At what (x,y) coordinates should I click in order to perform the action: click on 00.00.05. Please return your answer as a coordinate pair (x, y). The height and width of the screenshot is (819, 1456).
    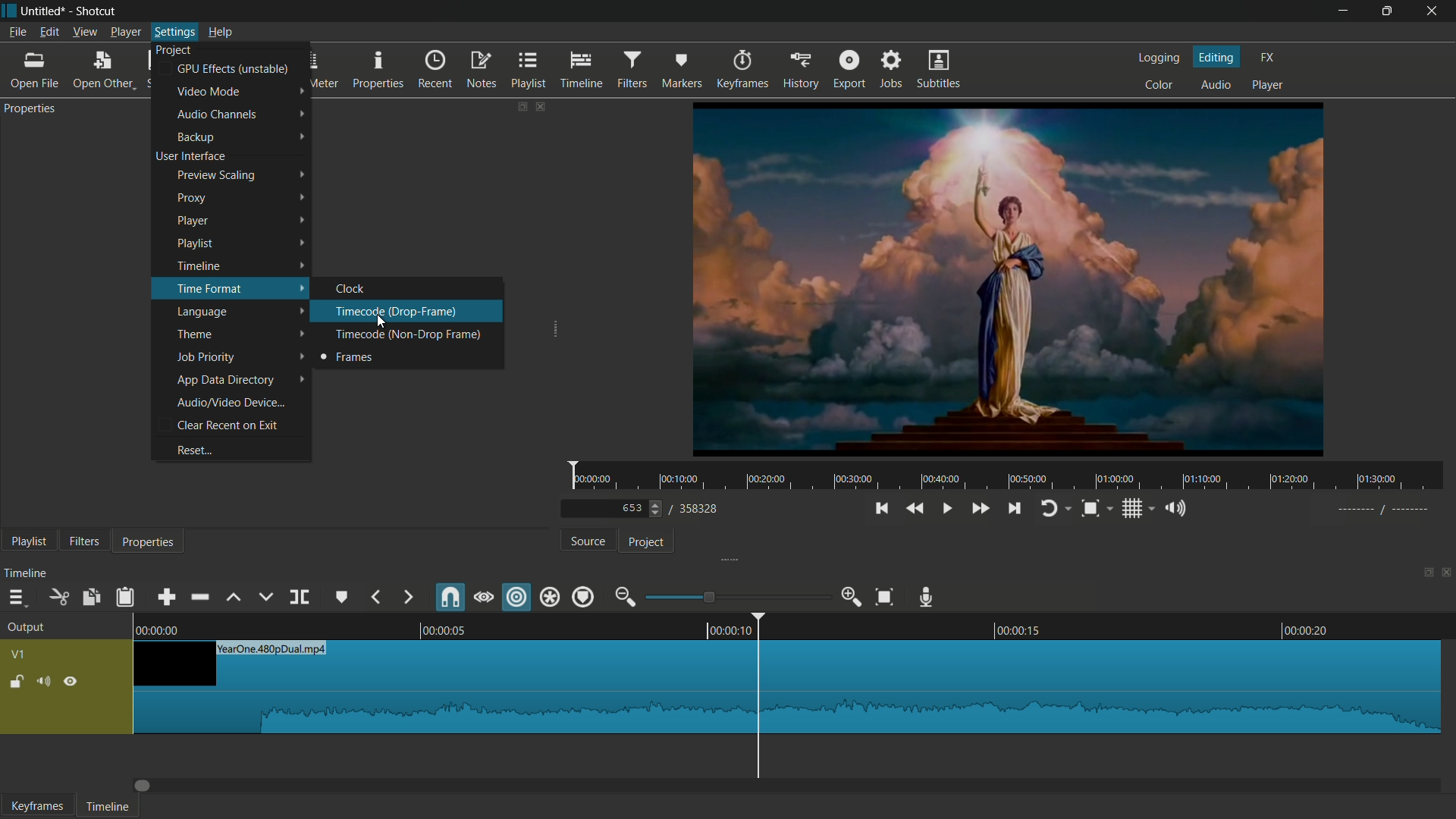
    Looking at the image, I should click on (444, 629).